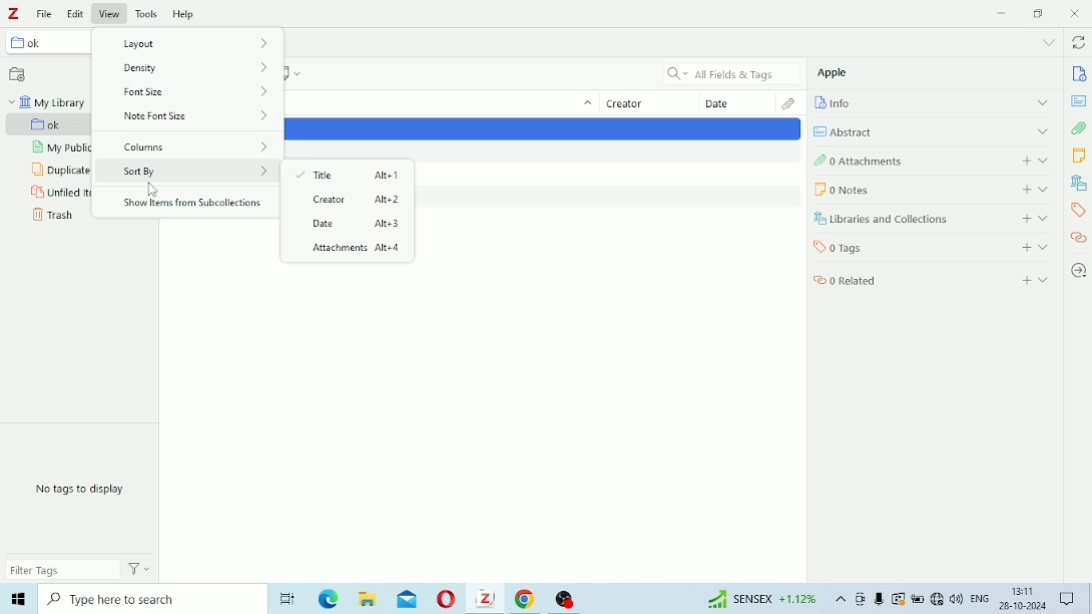 This screenshot has width=1092, height=614. I want to click on ‘Show items from Subcollections., so click(195, 203).